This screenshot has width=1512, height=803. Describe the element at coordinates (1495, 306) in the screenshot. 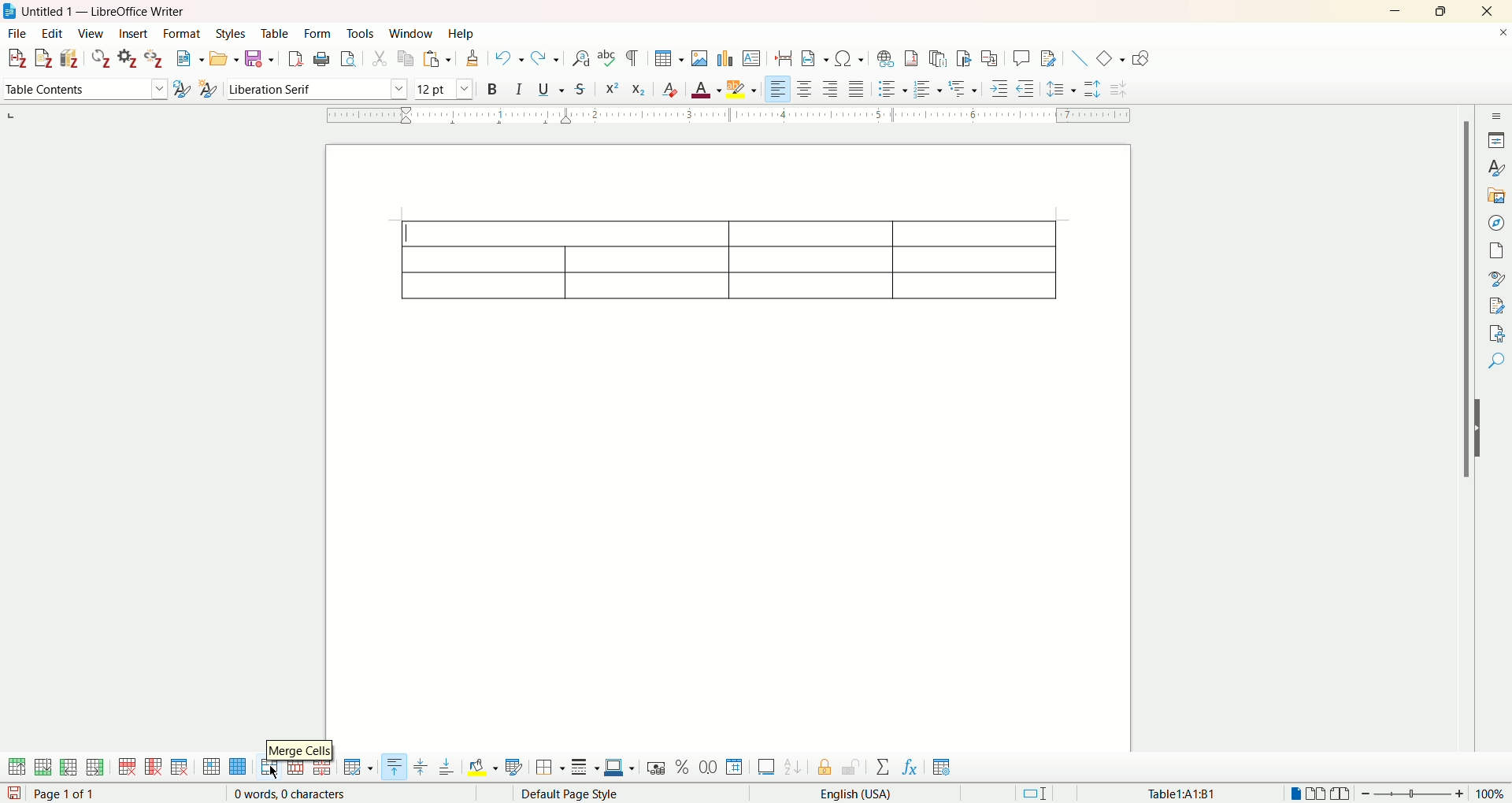

I see `manage changes` at that location.